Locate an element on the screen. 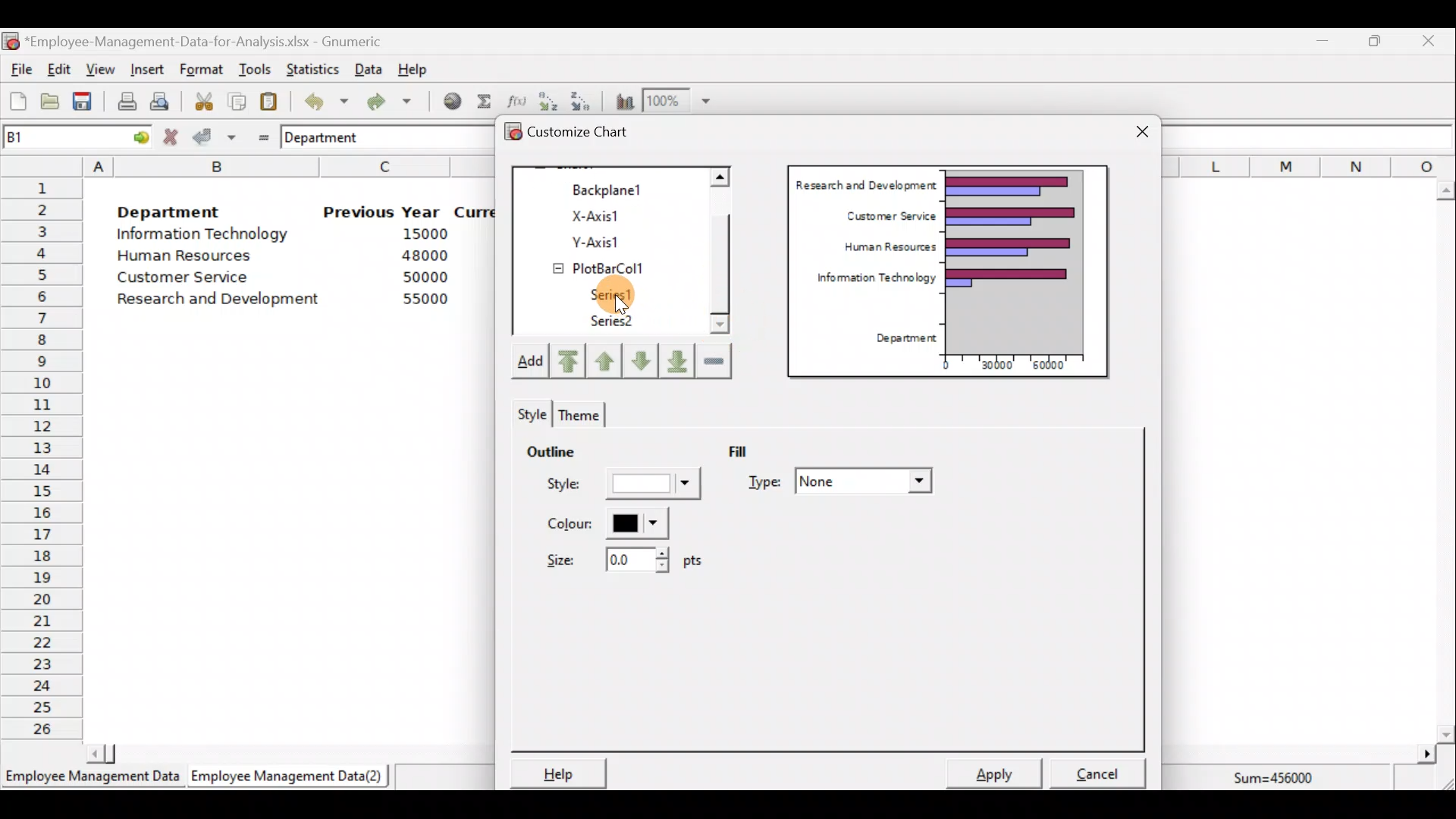 Image resolution: width=1456 pixels, height=819 pixels. Human Resources is located at coordinates (883, 248).